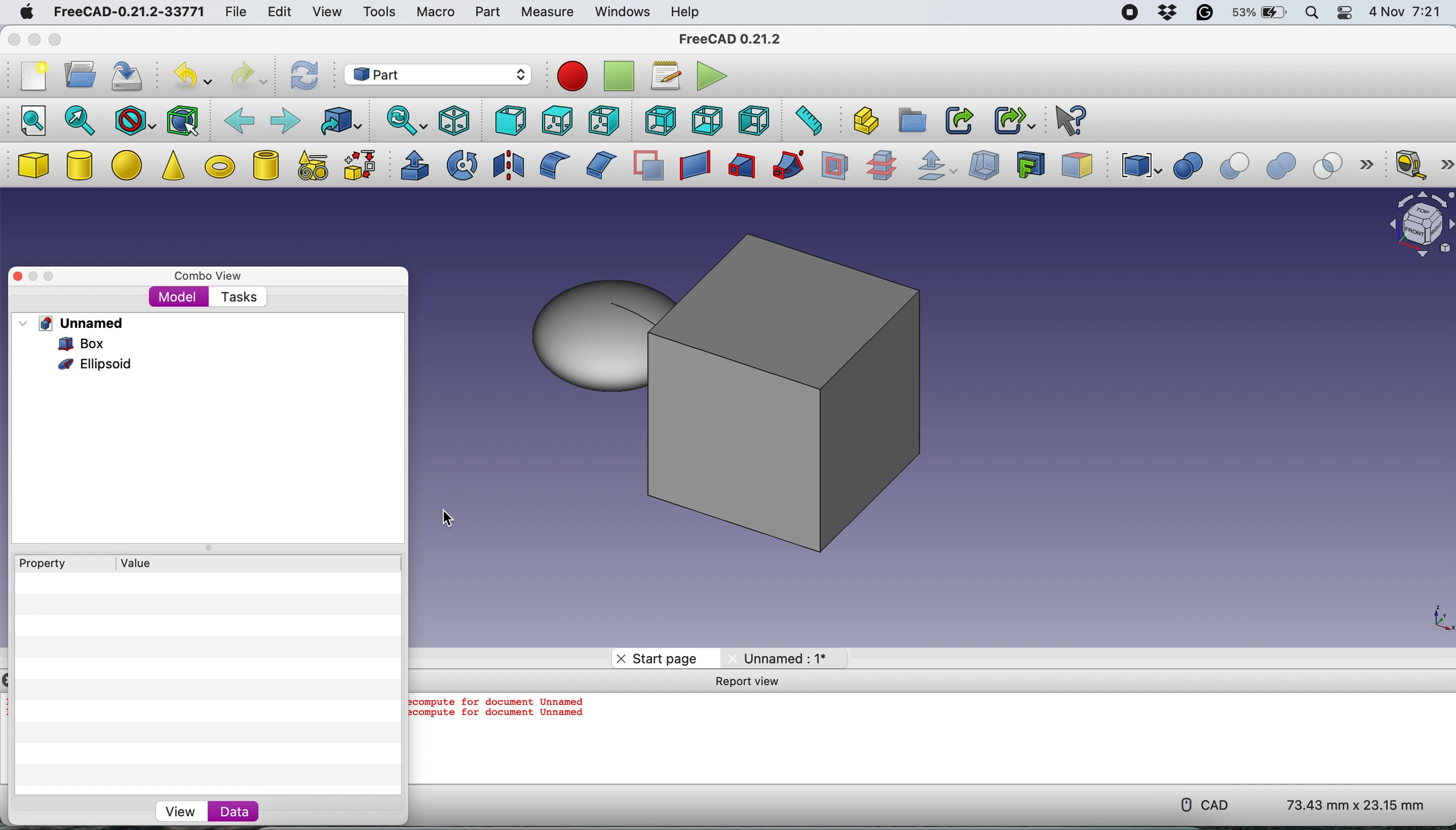  Describe the element at coordinates (404, 122) in the screenshot. I see `sync view` at that location.